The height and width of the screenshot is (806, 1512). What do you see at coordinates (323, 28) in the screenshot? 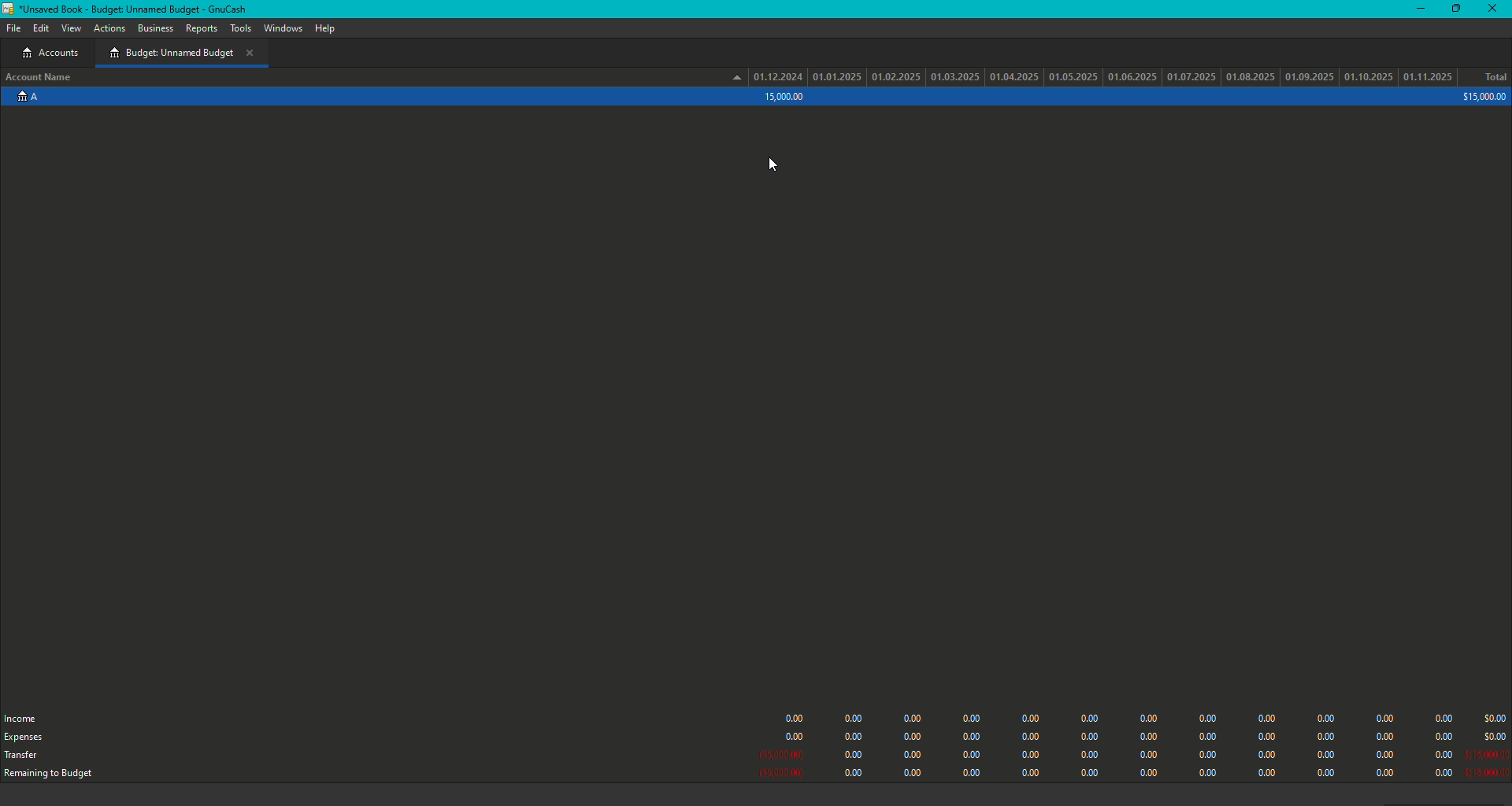
I see `Help` at bounding box center [323, 28].